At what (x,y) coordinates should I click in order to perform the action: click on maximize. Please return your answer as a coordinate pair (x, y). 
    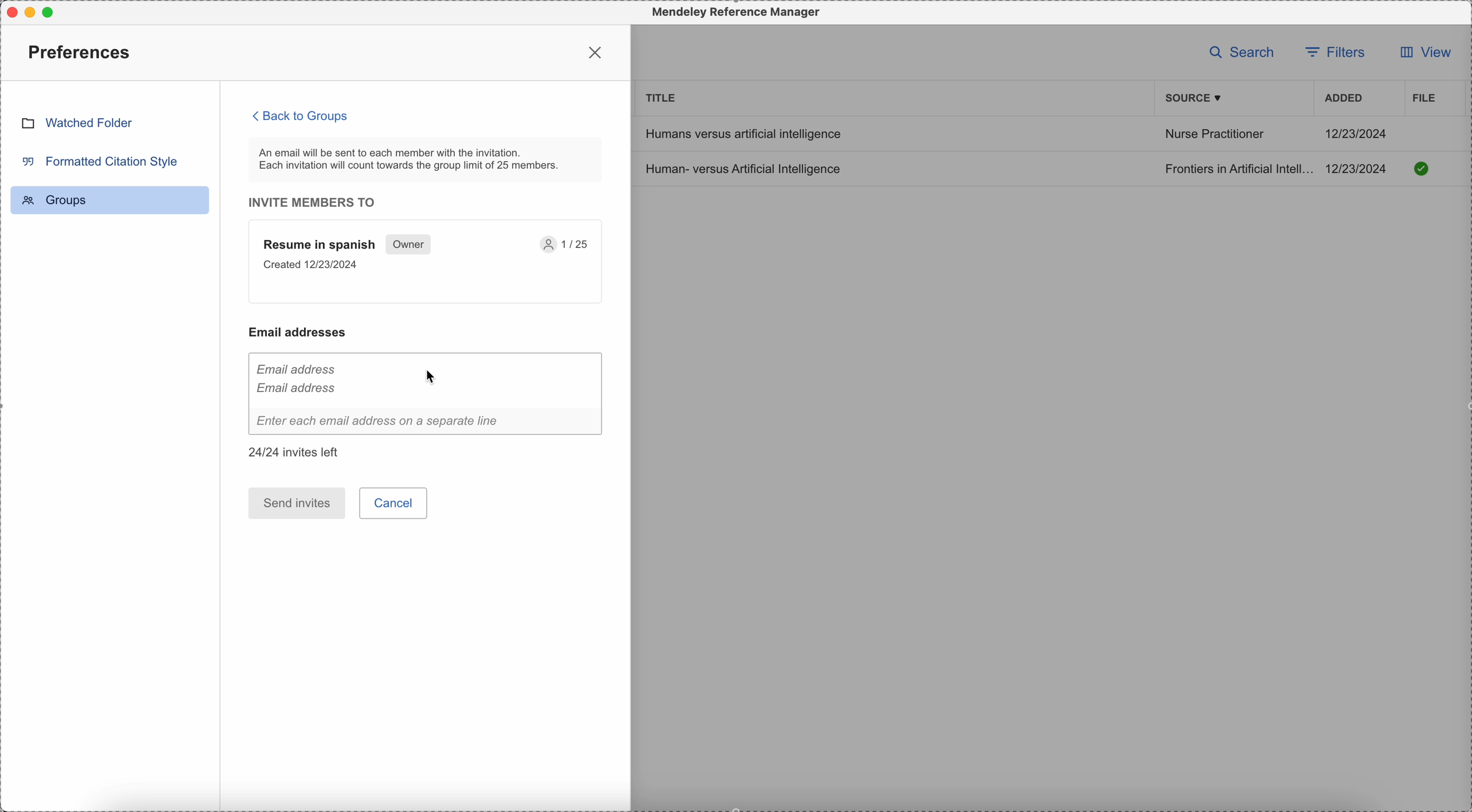
    Looking at the image, I should click on (53, 11).